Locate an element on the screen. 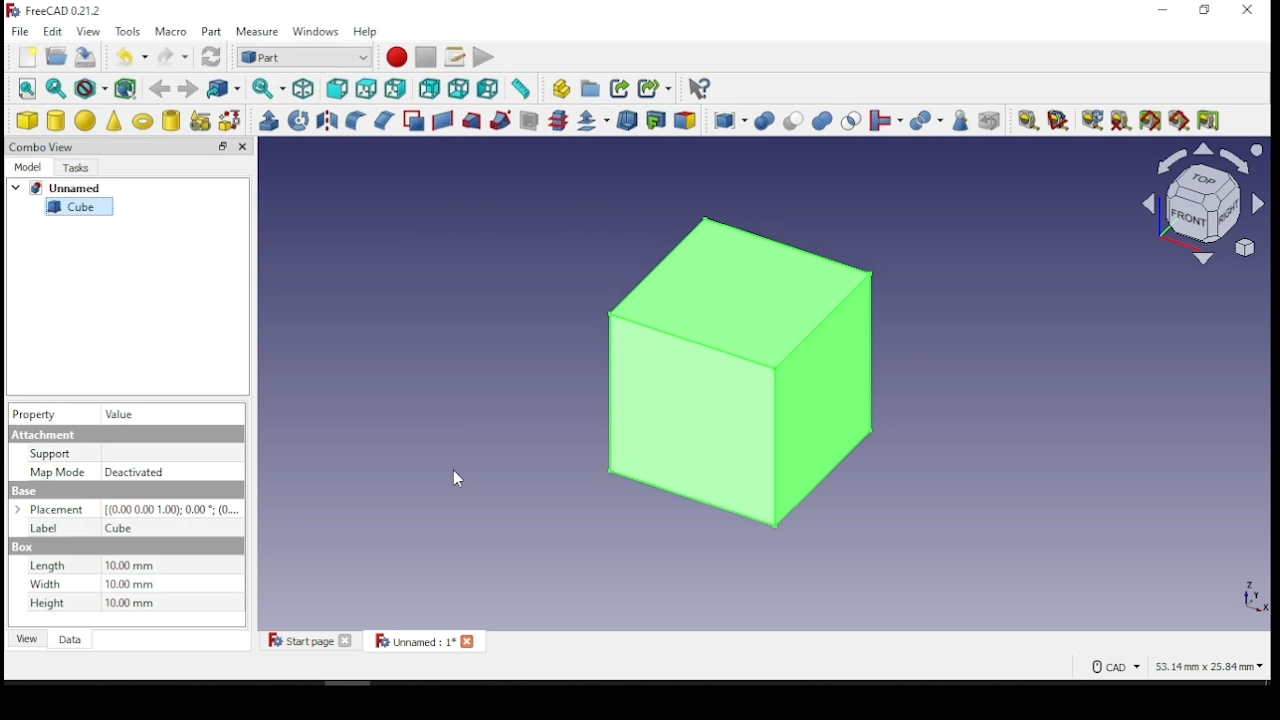 Image resolution: width=1280 pixels, height=720 pixels. view is located at coordinates (88, 31).